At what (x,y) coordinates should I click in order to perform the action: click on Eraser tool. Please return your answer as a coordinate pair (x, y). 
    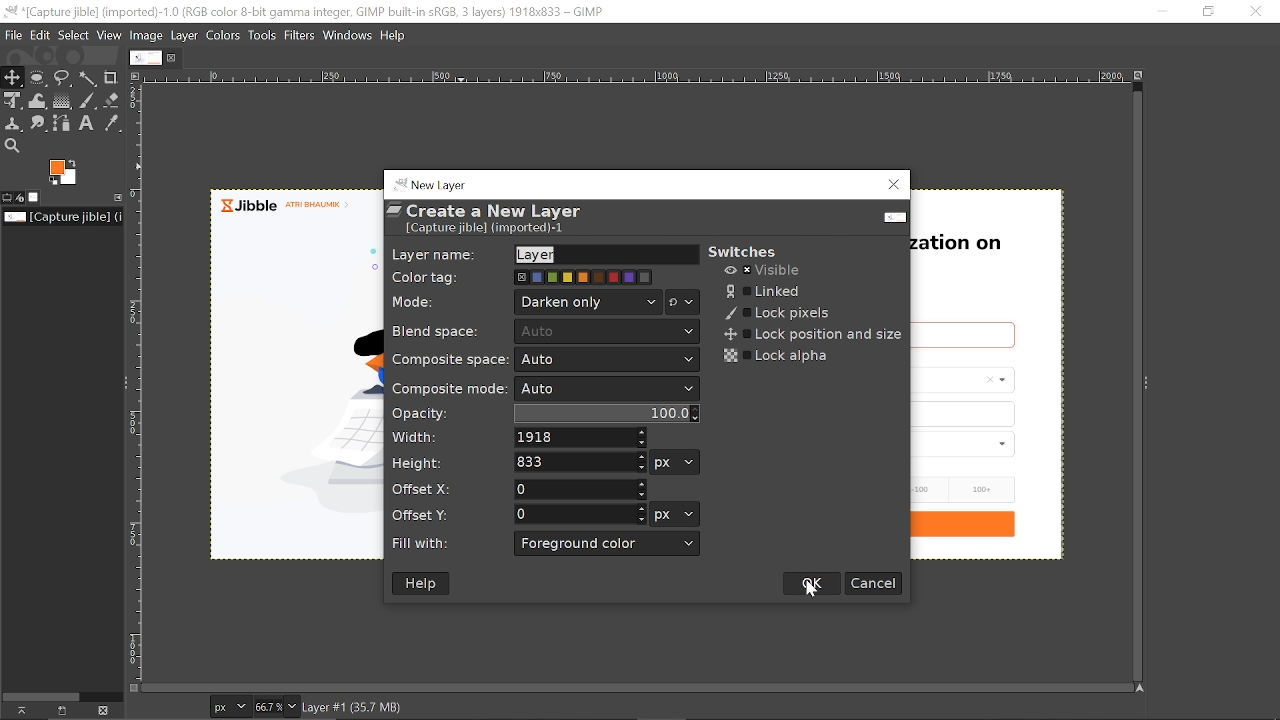
    Looking at the image, I should click on (112, 99).